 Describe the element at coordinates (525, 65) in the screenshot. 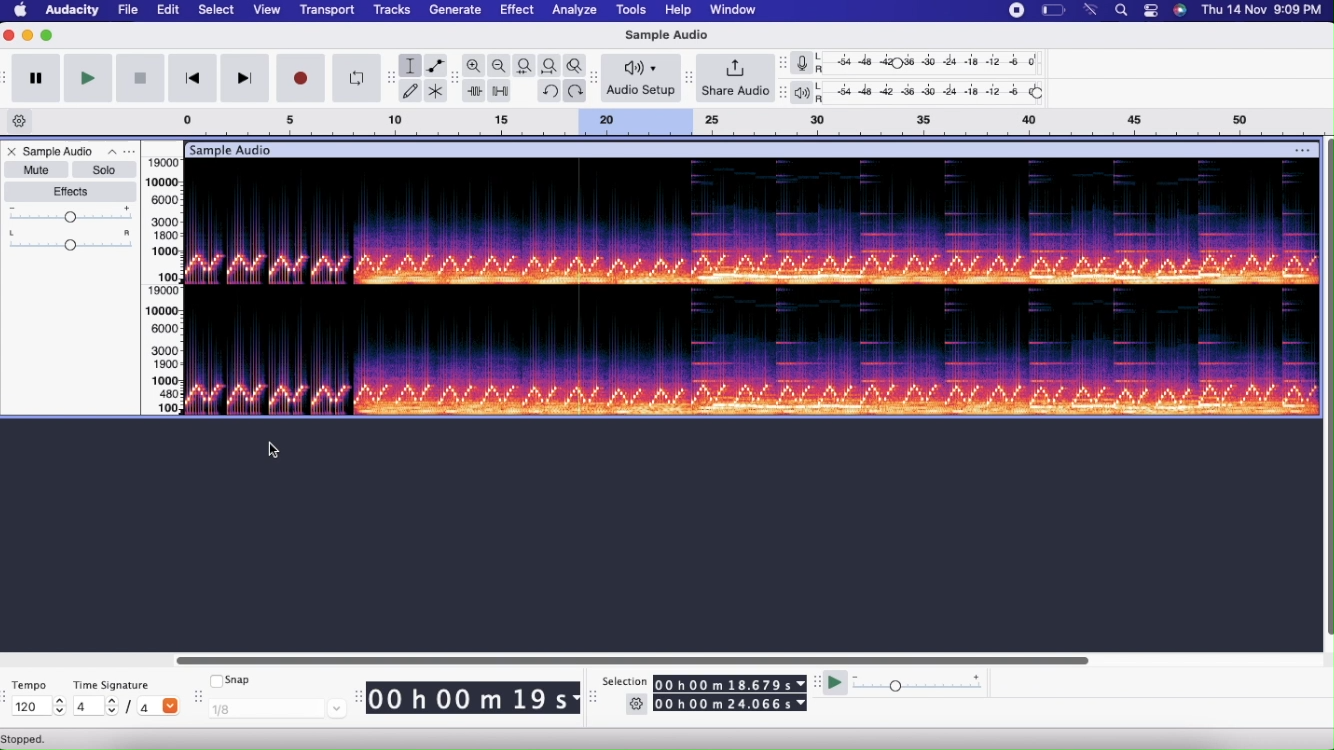

I see `Fit selection to width` at that location.